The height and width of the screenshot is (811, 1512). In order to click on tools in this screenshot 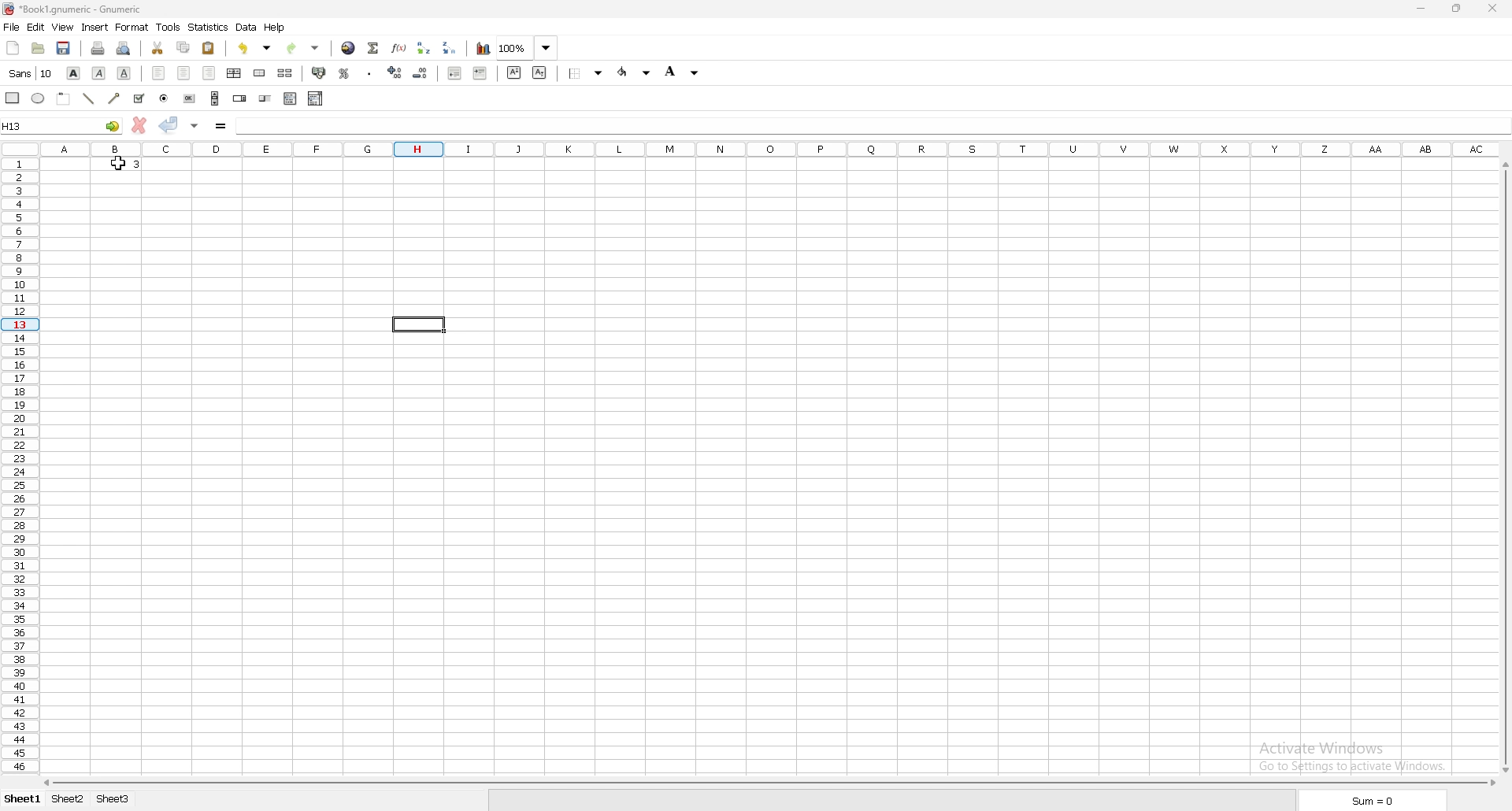, I will do `click(169, 27)`.